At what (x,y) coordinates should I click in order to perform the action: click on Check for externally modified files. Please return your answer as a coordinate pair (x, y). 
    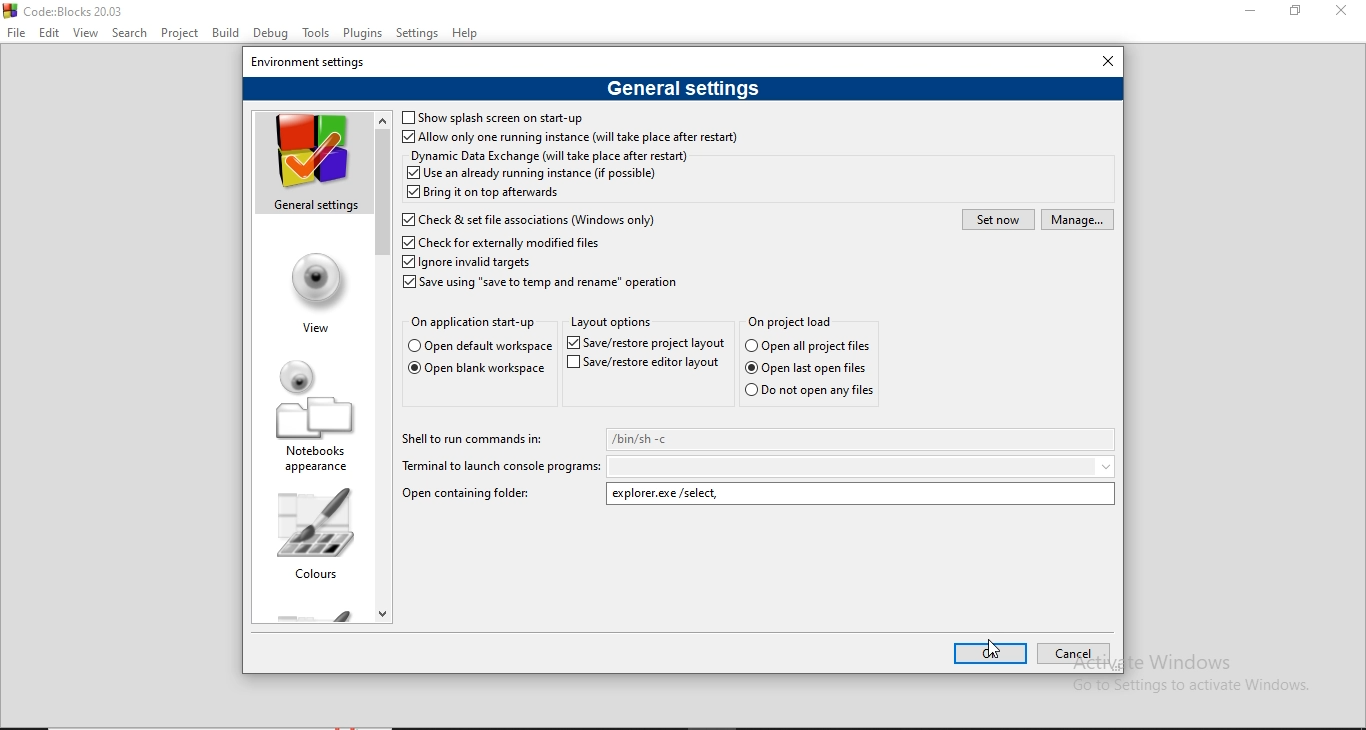
    Looking at the image, I should click on (506, 243).